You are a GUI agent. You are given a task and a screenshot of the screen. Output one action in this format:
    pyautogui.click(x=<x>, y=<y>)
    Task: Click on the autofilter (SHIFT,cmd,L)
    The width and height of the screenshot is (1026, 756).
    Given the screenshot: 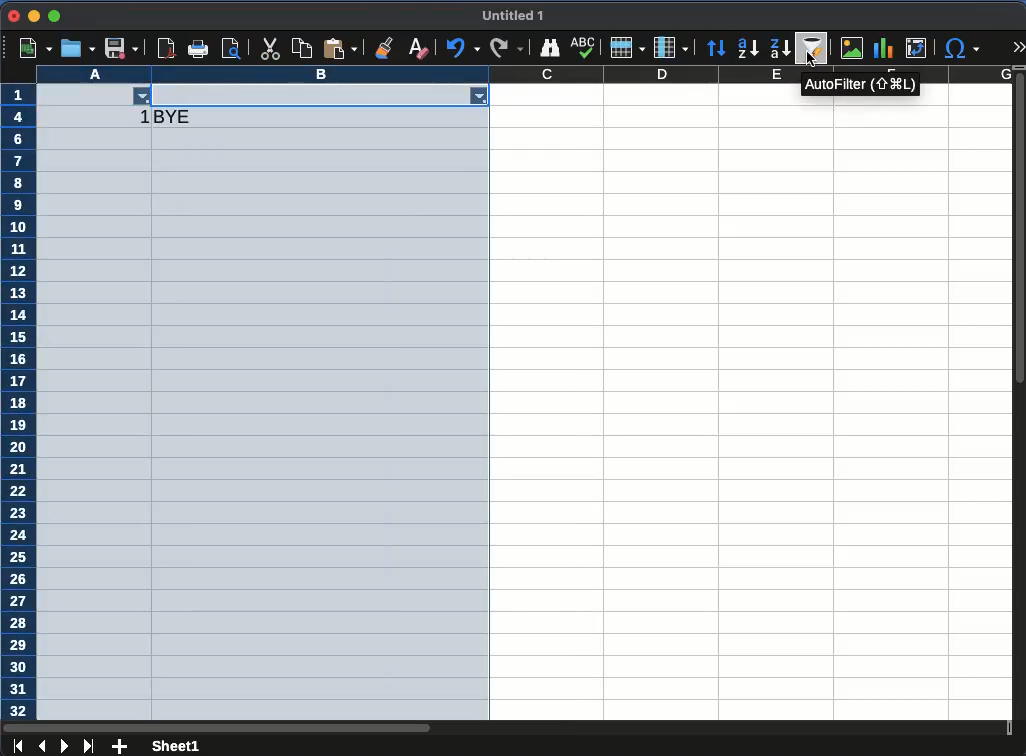 What is the action you would take?
    pyautogui.click(x=861, y=85)
    